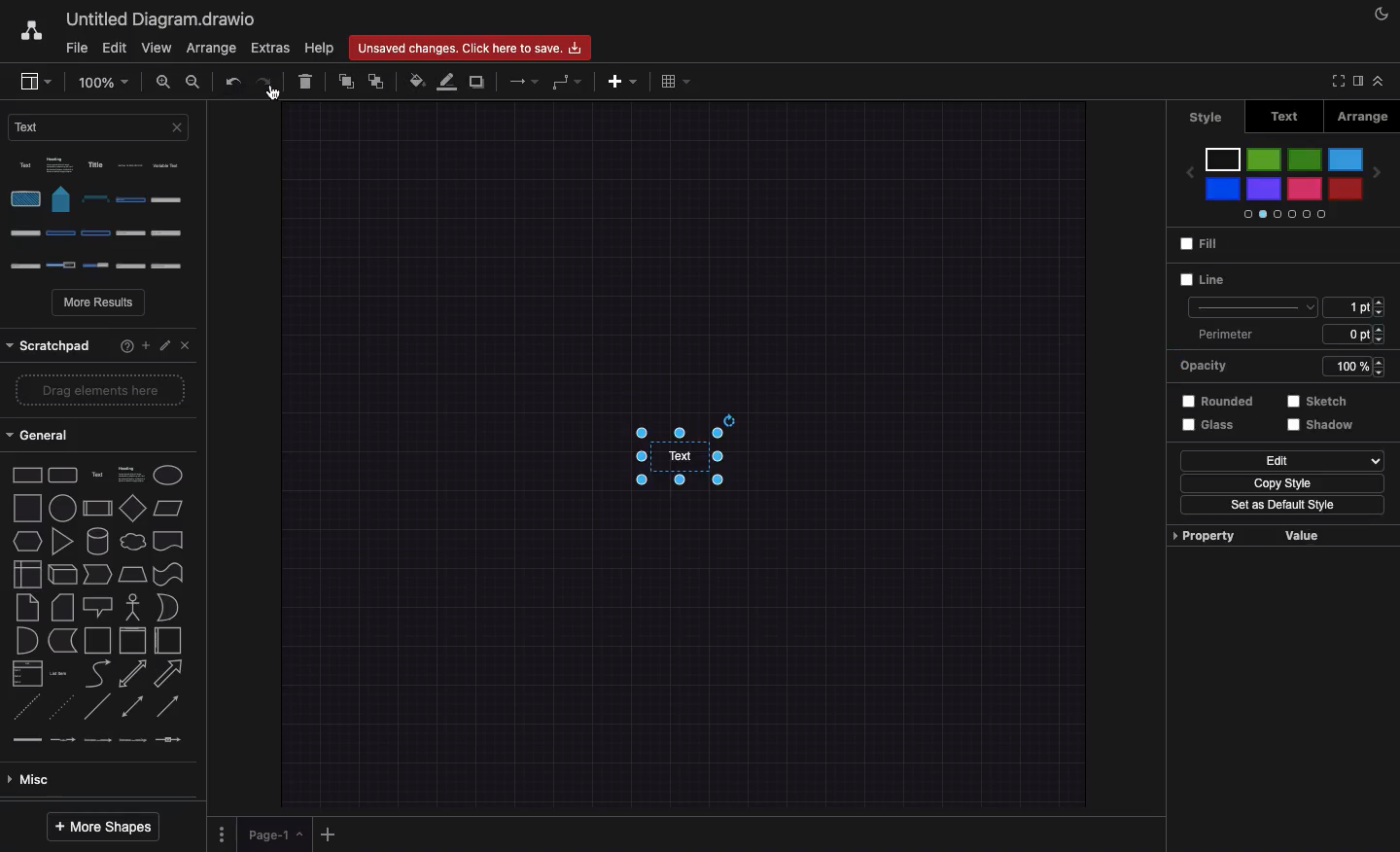  What do you see at coordinates (211, 49) in the screenshot?
I see `Arrange` at bounding box center [211, 49].